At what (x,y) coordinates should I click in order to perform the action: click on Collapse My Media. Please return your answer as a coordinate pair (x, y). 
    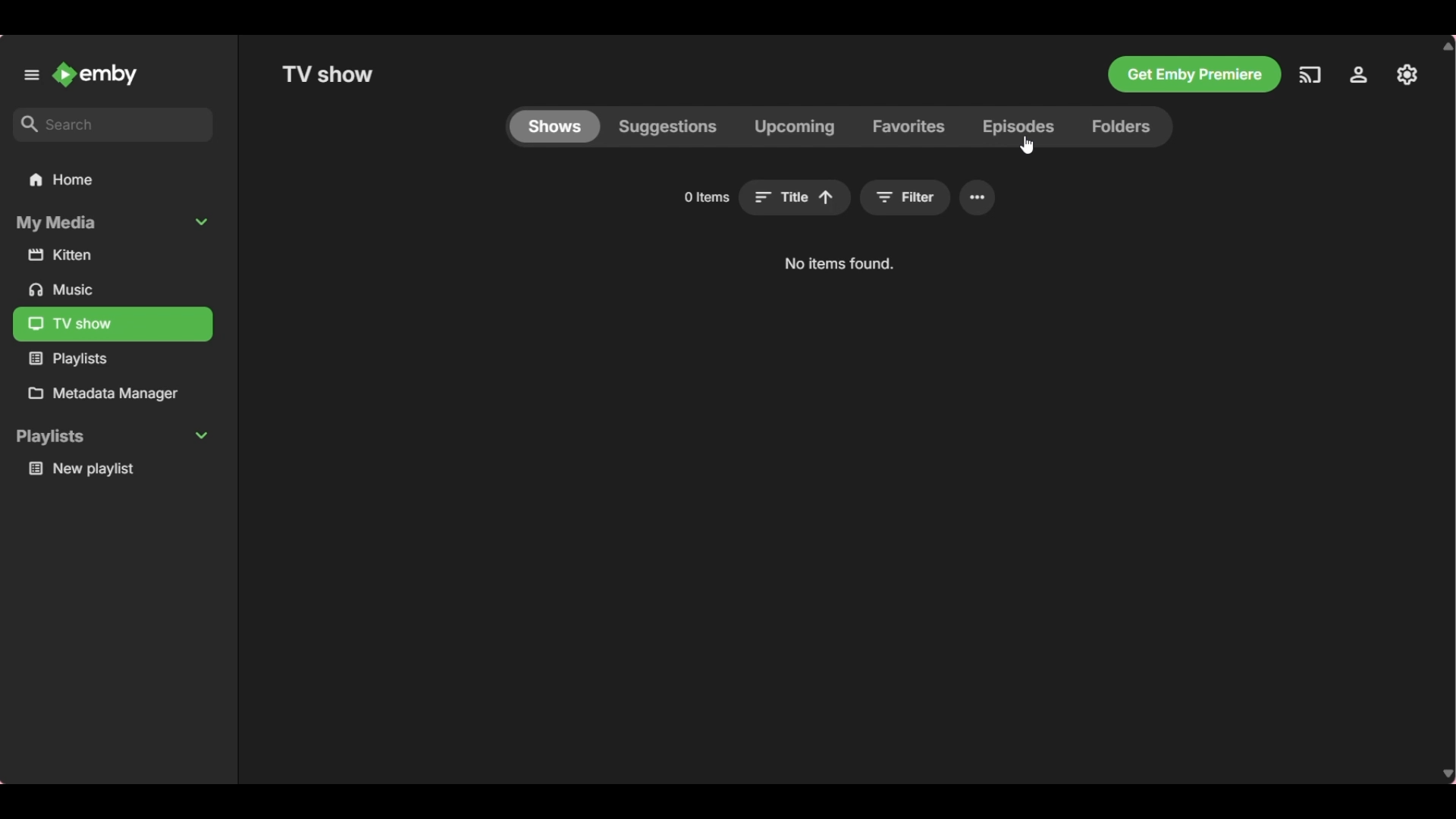
    Looking at the image, I should click on (113, 224).